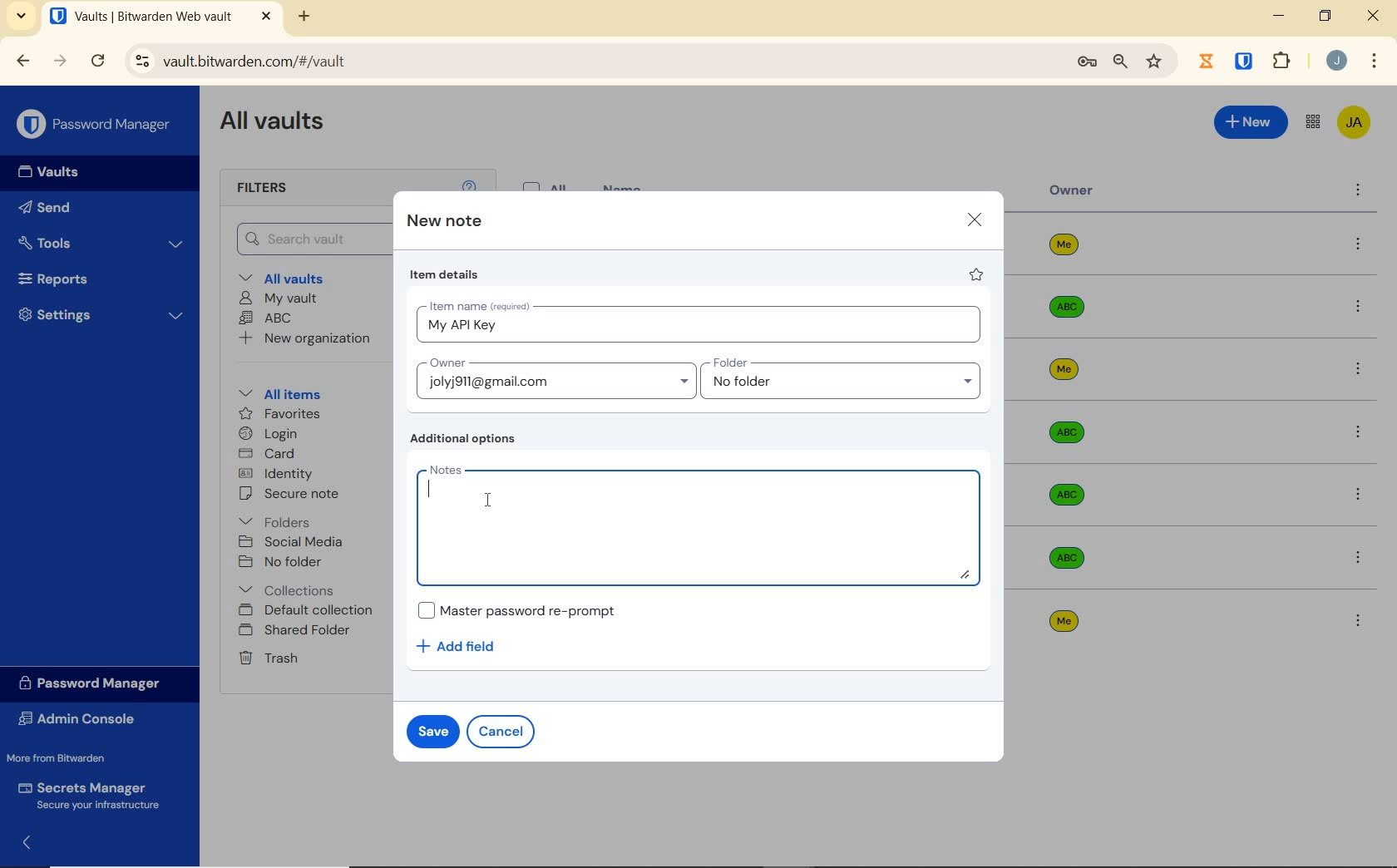 The image size is (1397, 868). I want to click on help, so click(469, 184).